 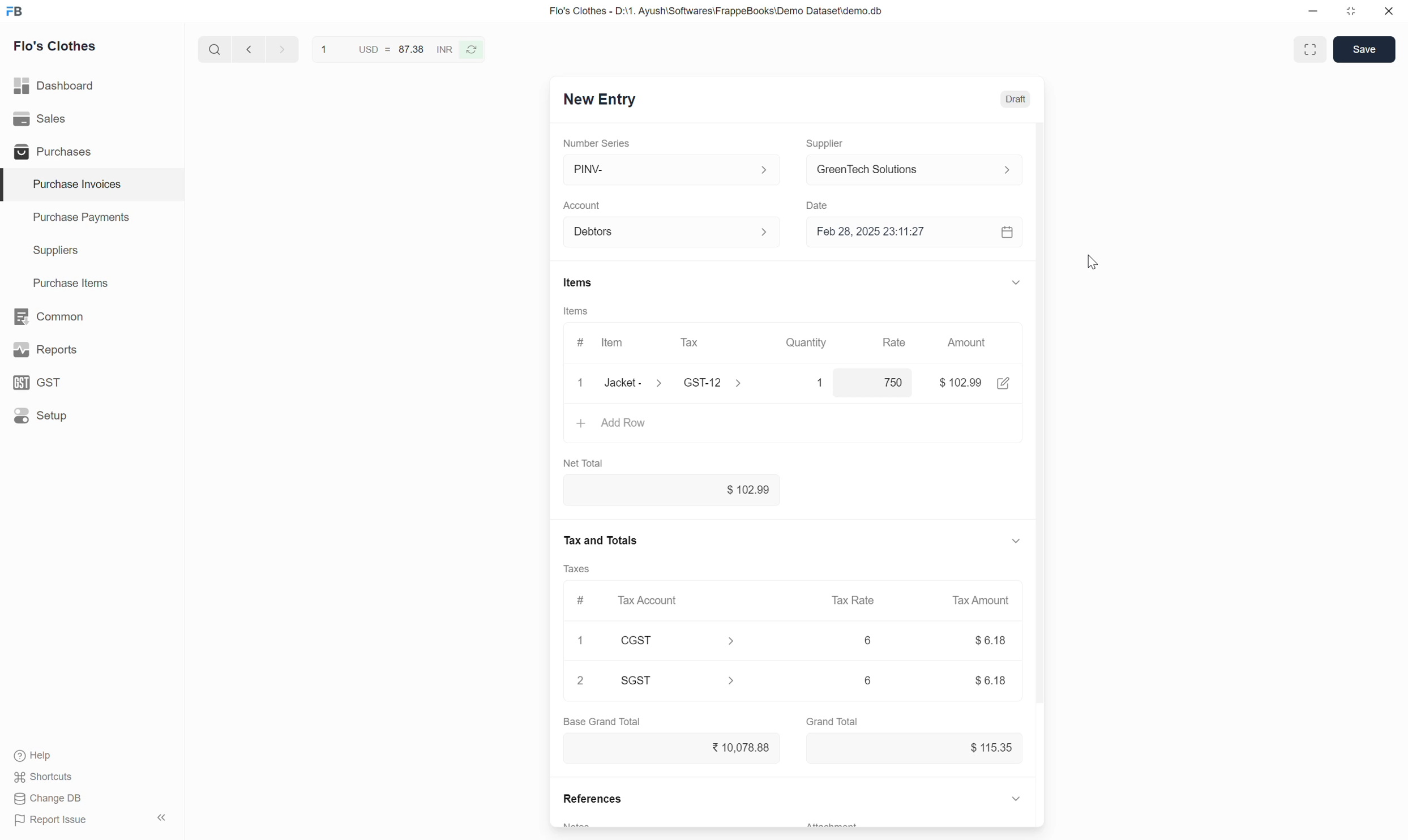 What do you see at coordinates (916, 748) in the screenshot?
I see `$115.35` at bounding box center [916, 748].